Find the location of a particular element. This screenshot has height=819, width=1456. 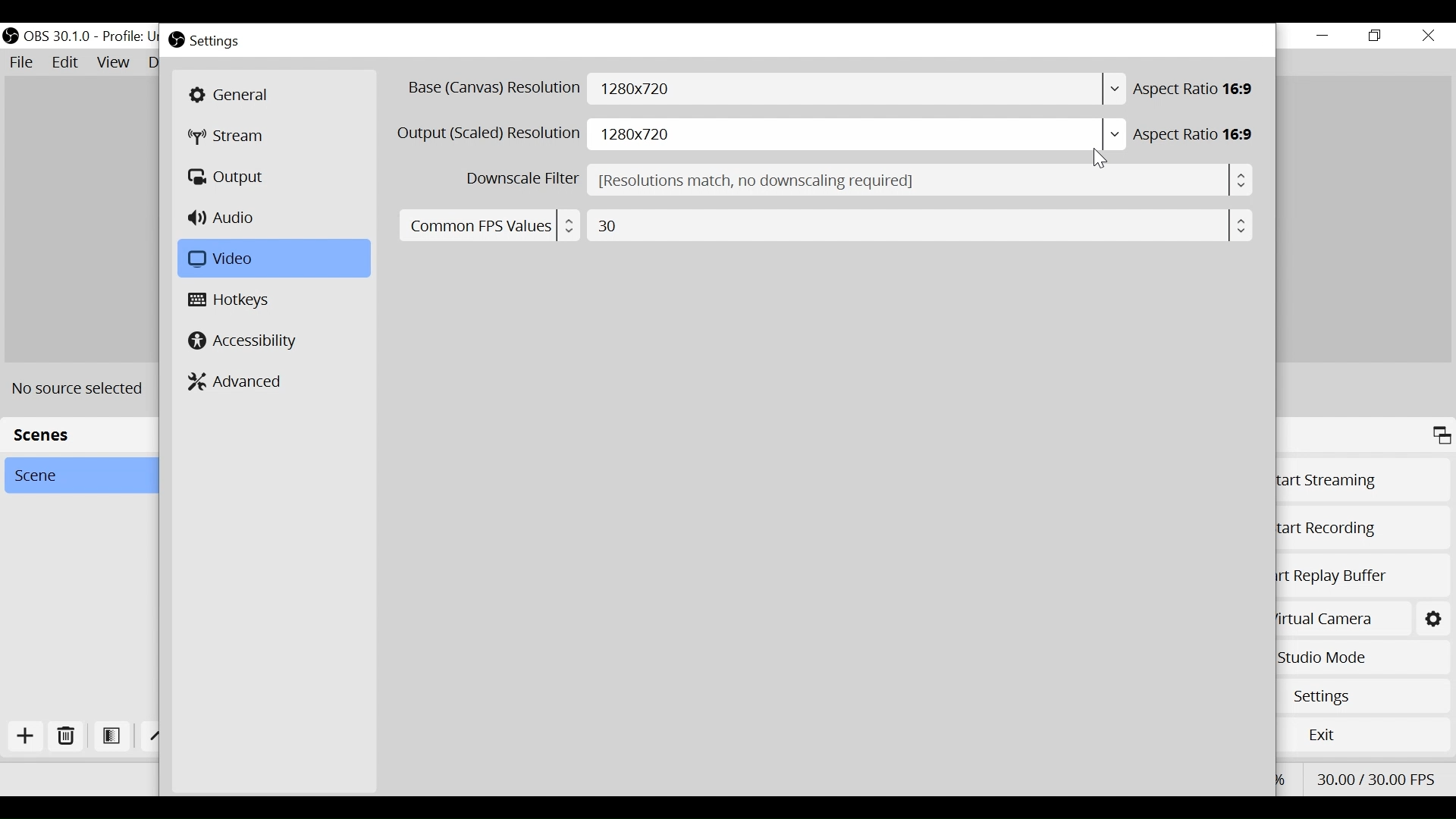

Audio is located at coordinates (225, 219).